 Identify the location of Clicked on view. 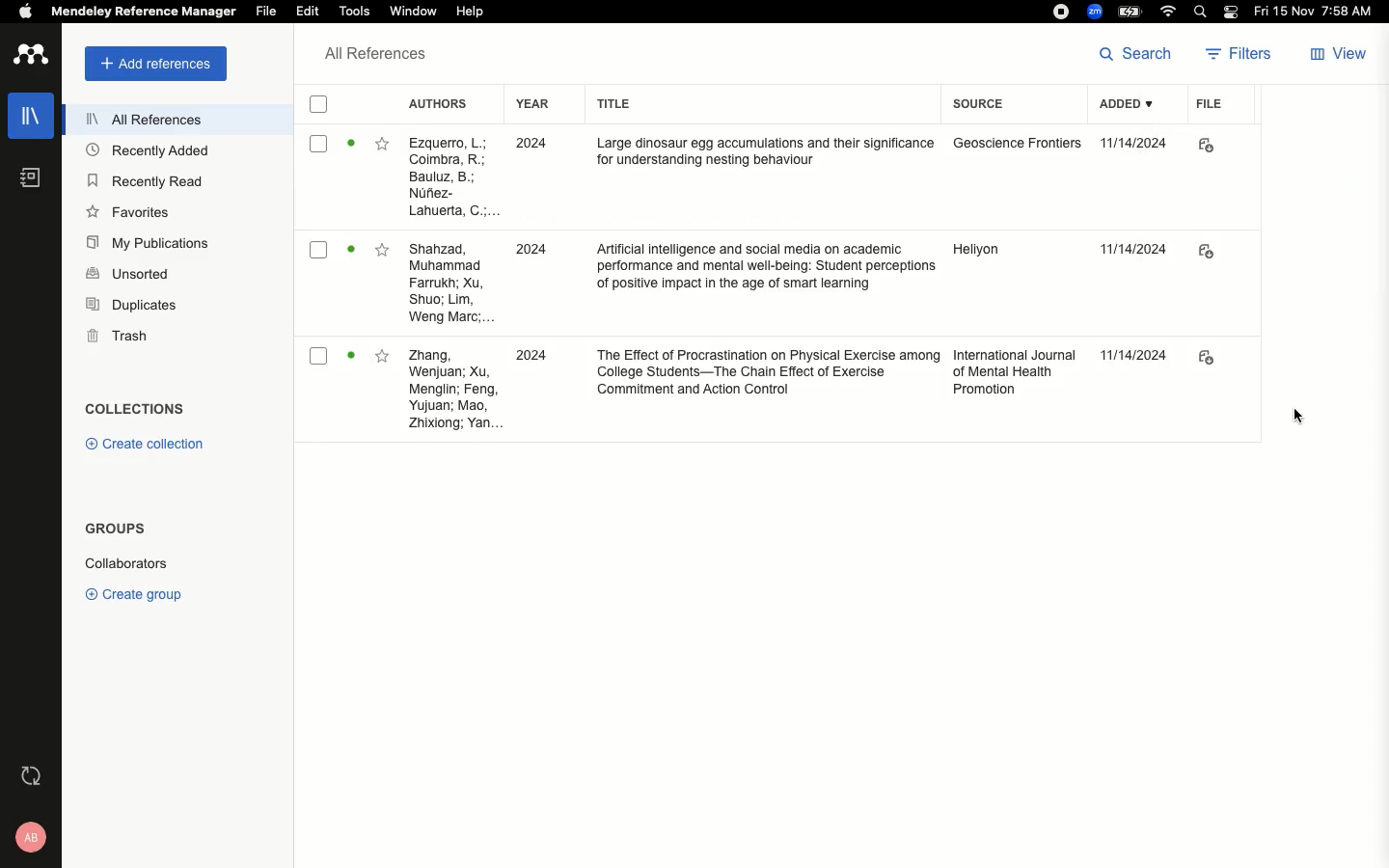
(1340, 51).